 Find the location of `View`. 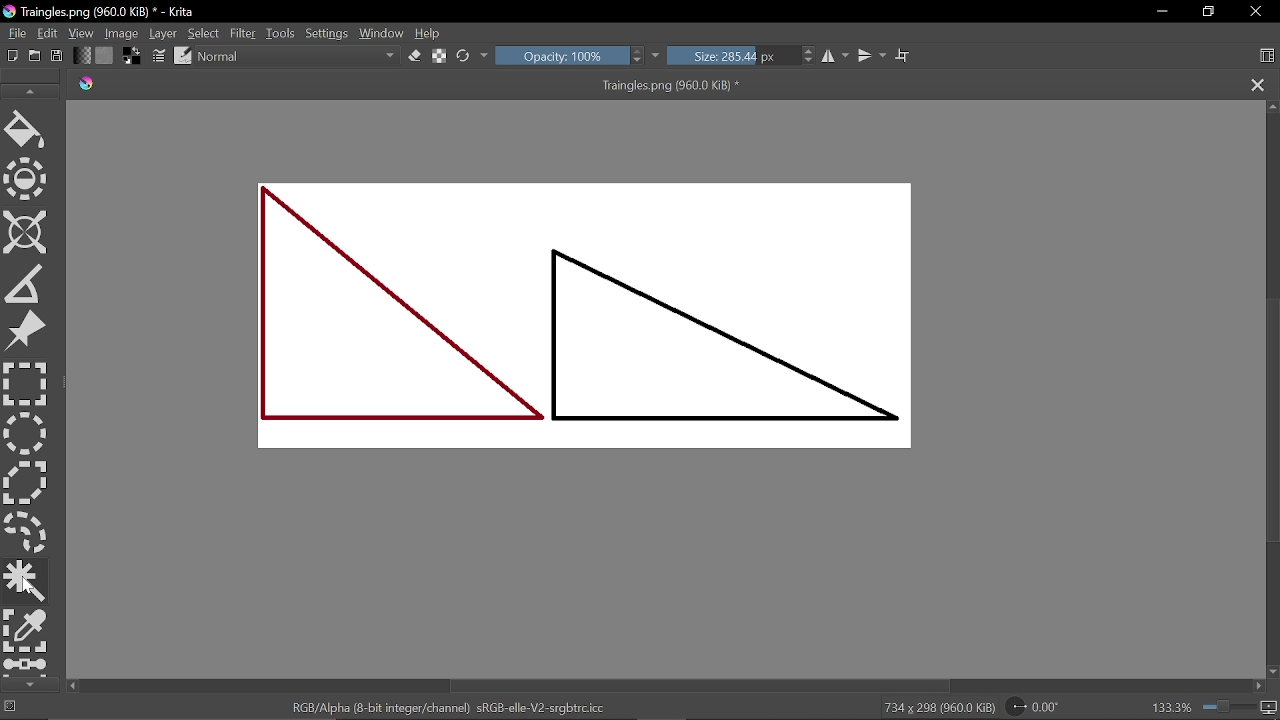

View is located at coordinates (82, 33).